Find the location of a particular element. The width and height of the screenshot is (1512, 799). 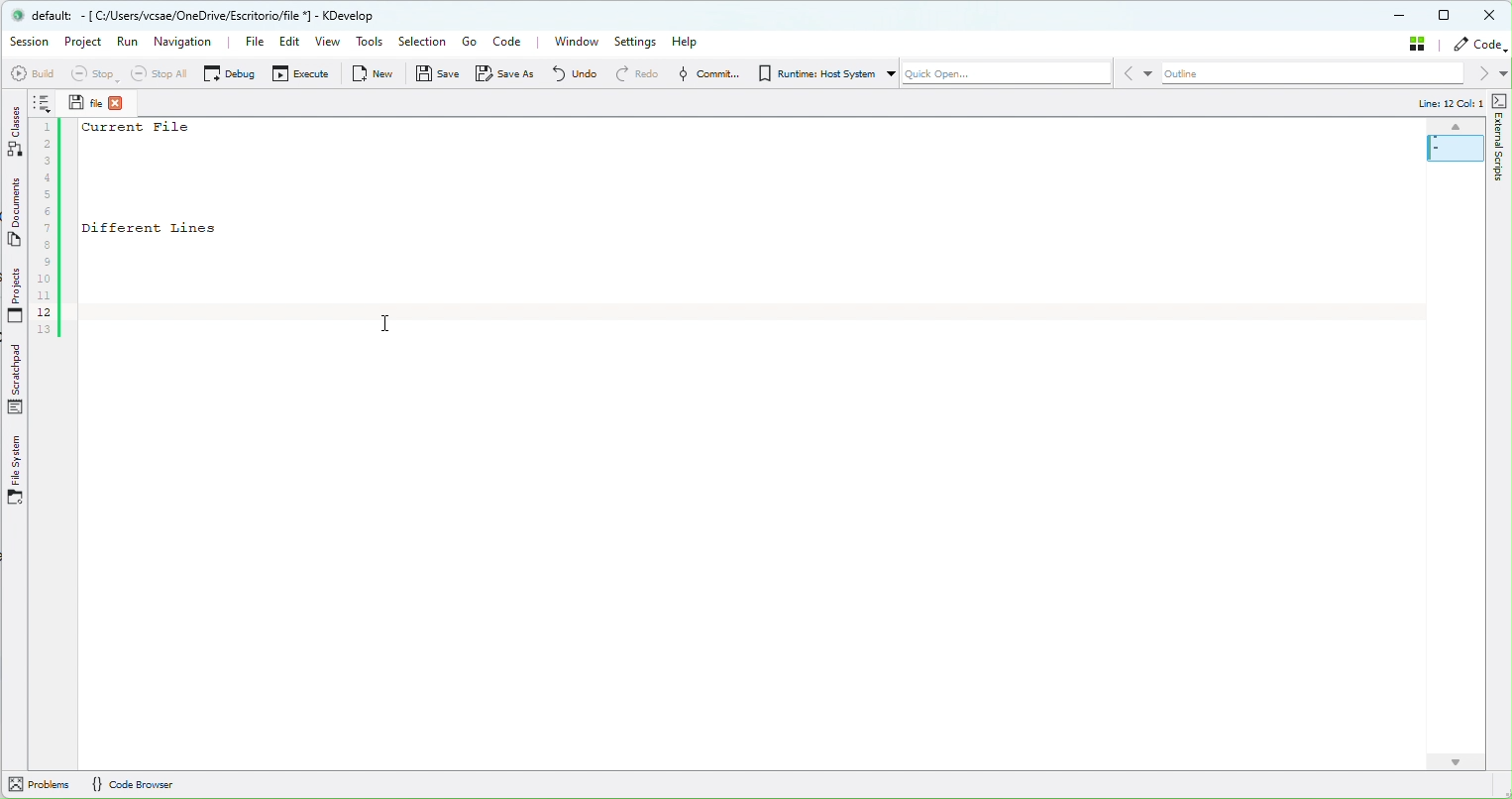

Execute is located at coordinates (301, 72).